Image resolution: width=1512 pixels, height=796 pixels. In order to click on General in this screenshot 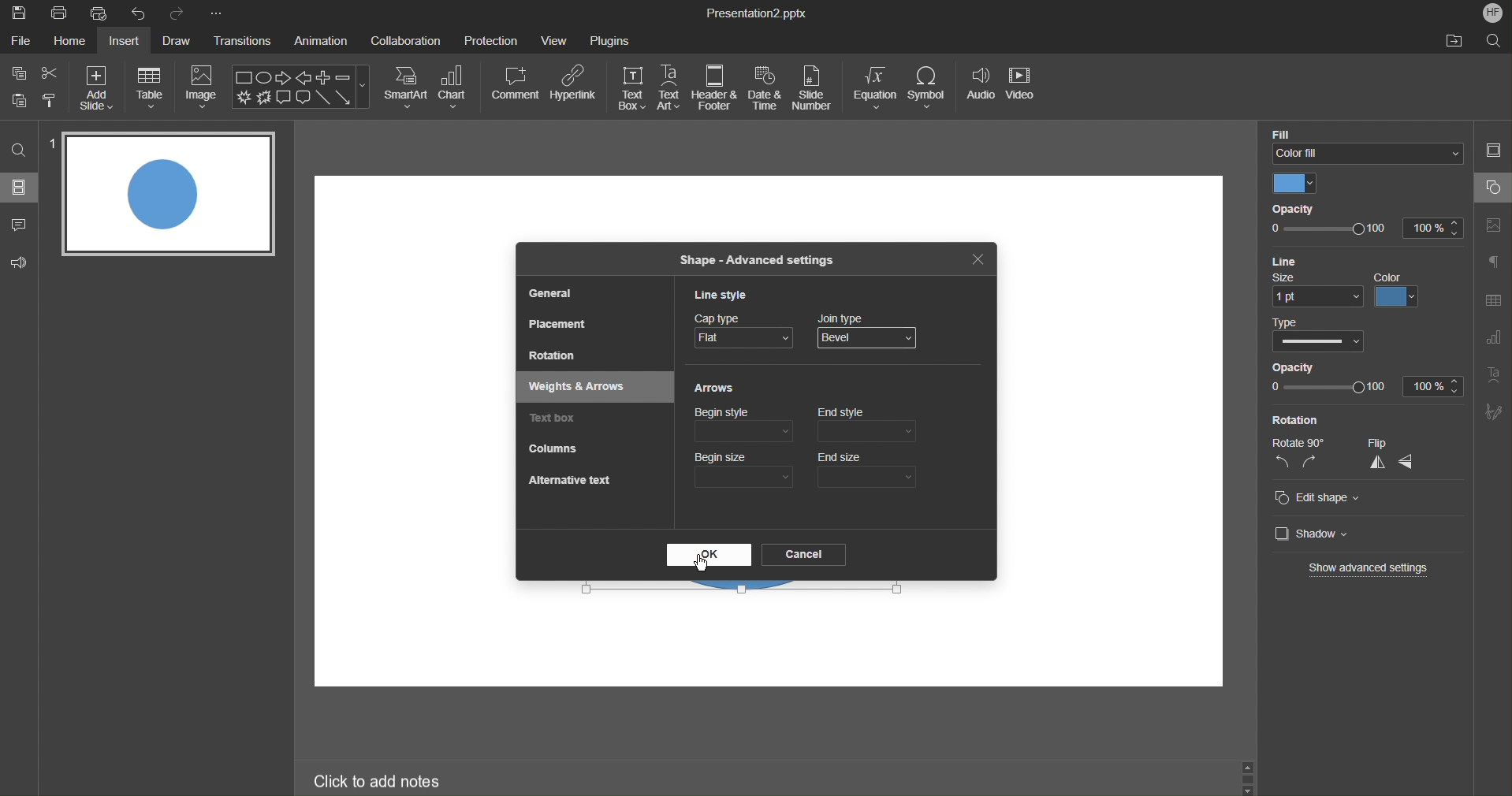, I will do `click(550, 293)`.